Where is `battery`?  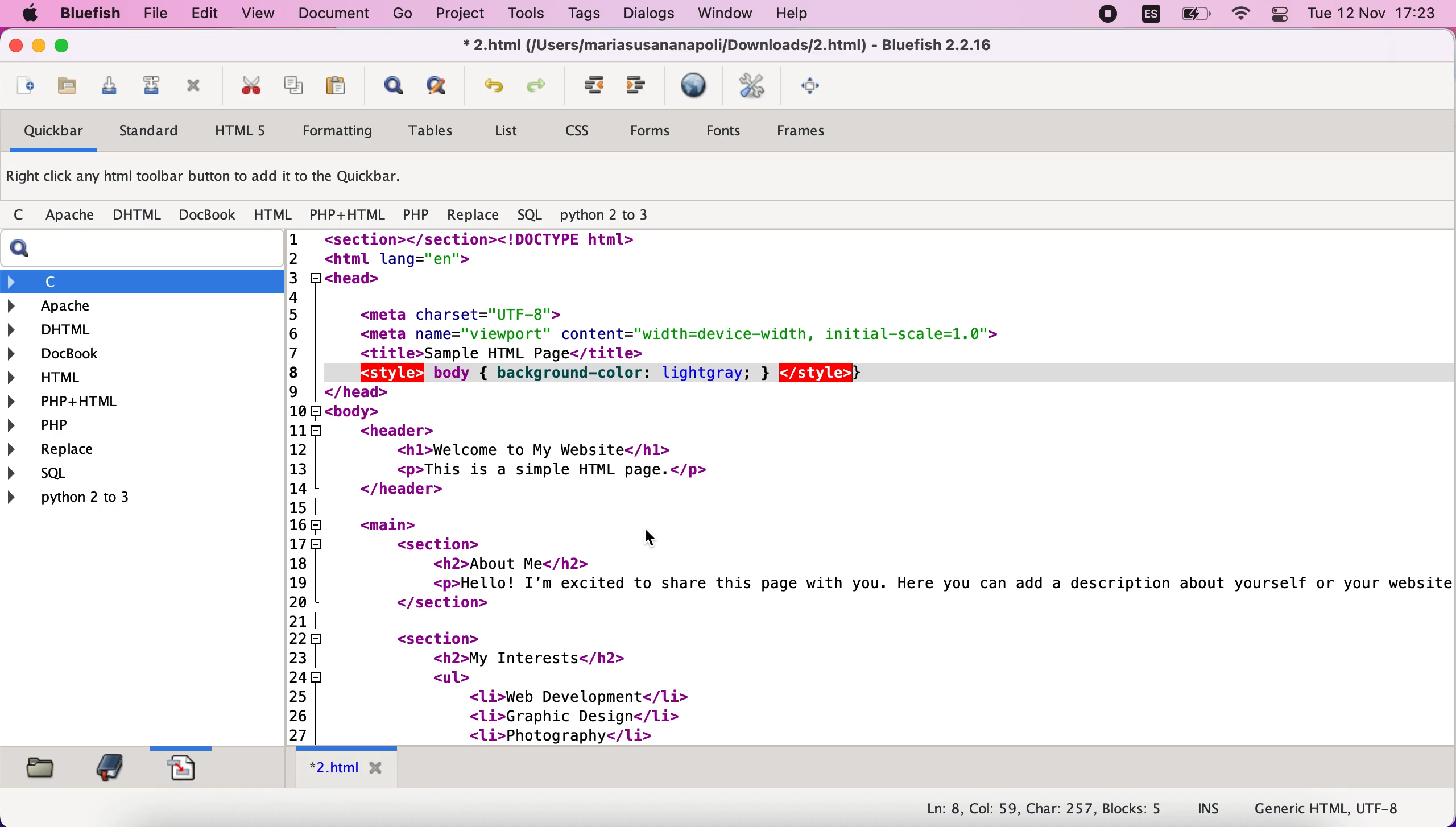
battery is located at coordinates (1192, 18).